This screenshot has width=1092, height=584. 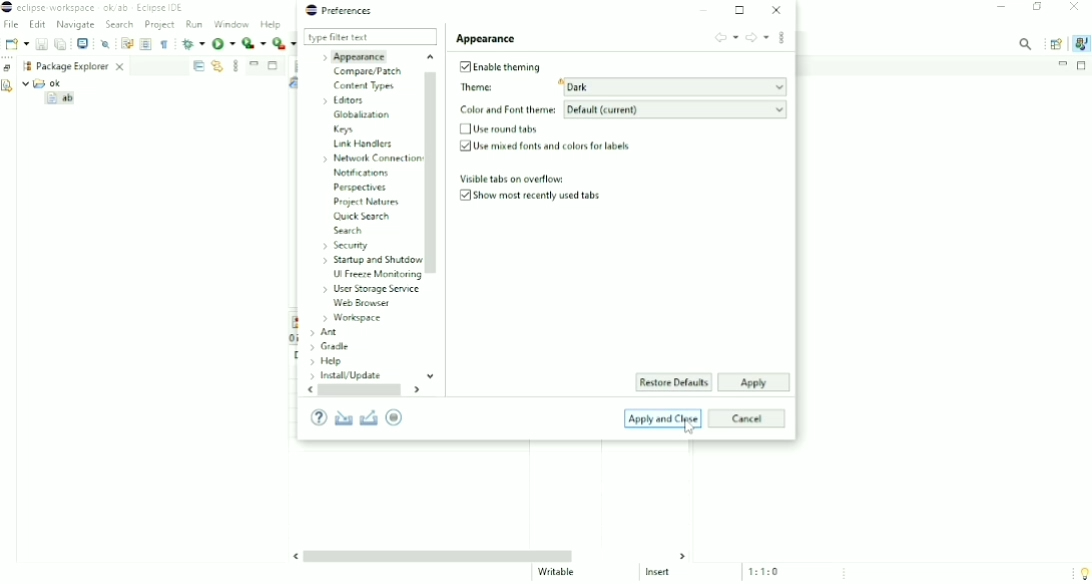 I want to click on Run Last Tool, so click(x=285, y=44).